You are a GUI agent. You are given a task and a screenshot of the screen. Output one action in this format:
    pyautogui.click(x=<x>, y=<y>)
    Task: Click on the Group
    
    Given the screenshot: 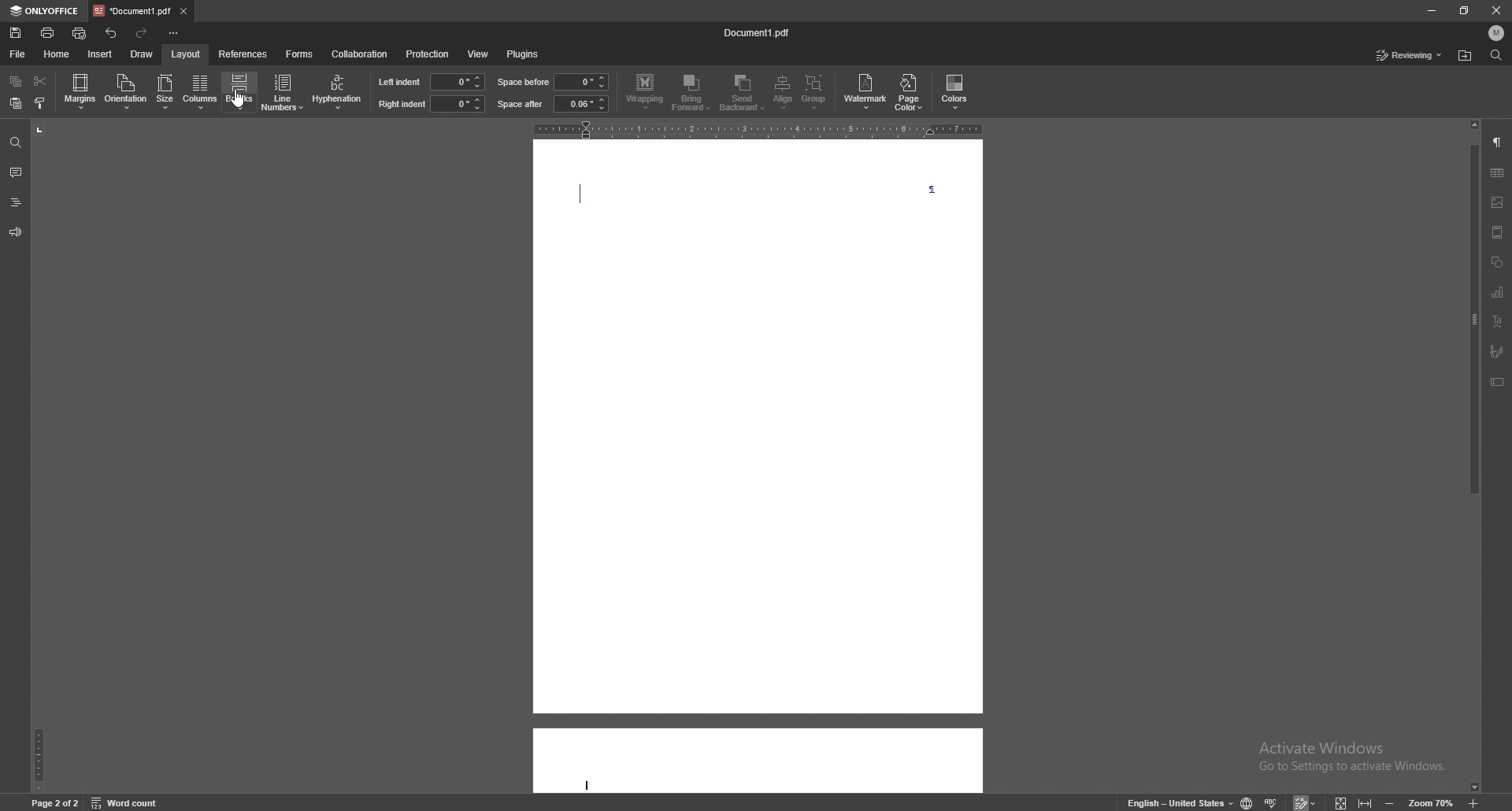 What is the action you would take?
    pyautogui.click(x=820, y=94)
    